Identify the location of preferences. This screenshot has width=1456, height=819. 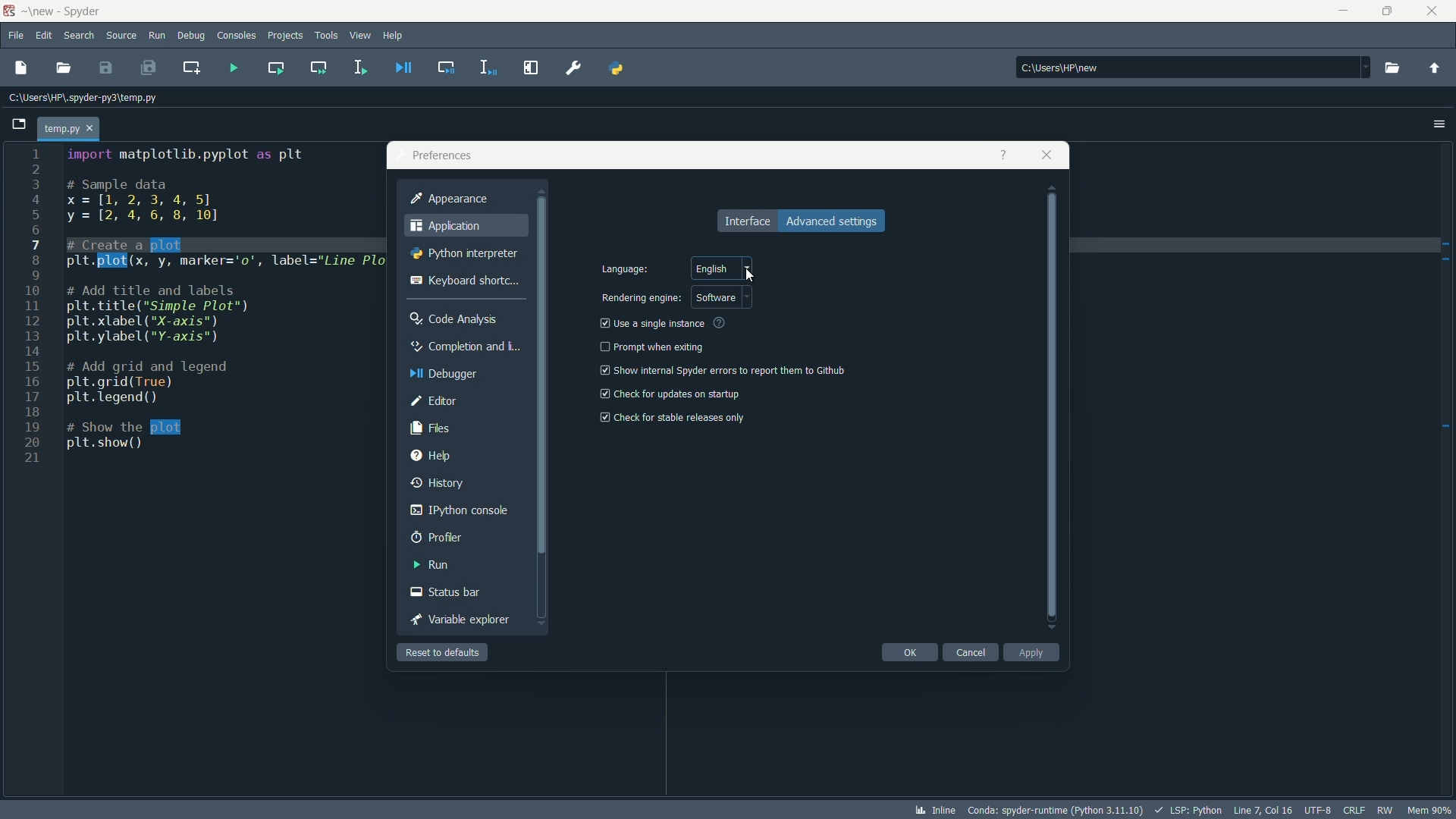
(443, 155).